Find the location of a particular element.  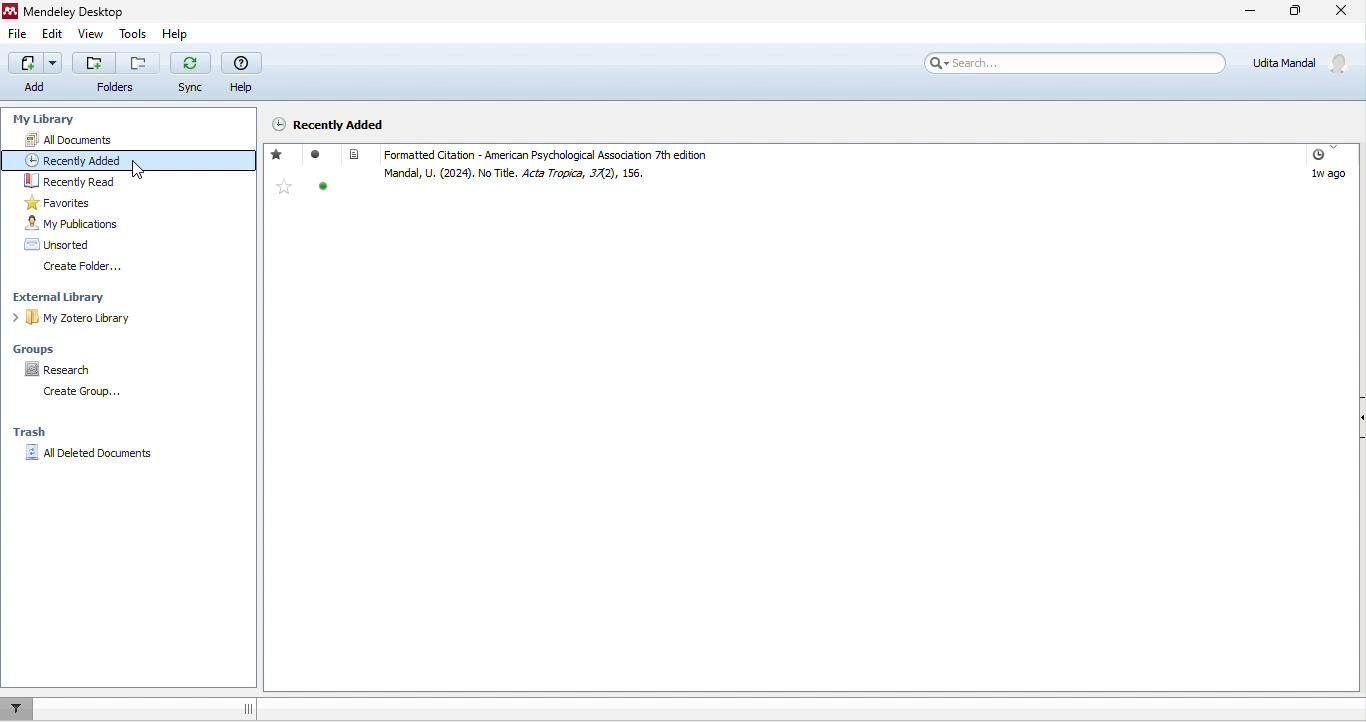

favorites is located at coordinates (283, 186).